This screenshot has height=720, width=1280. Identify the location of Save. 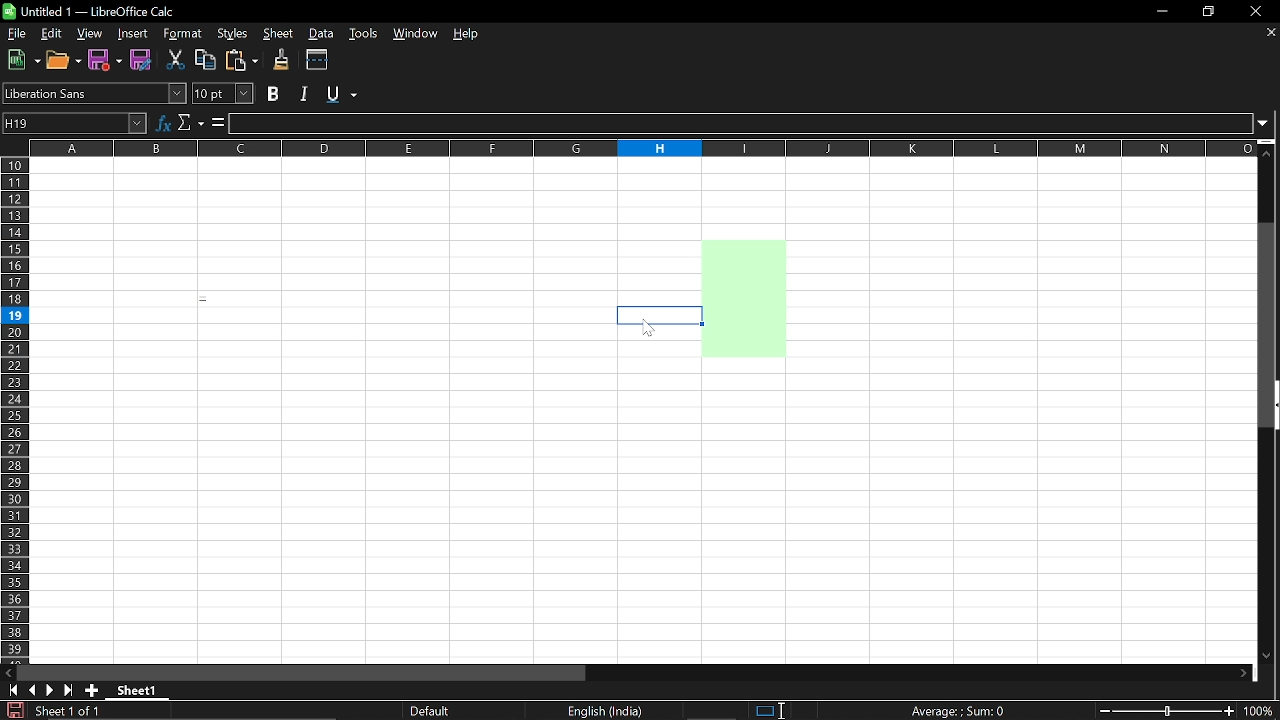
(141, 61).